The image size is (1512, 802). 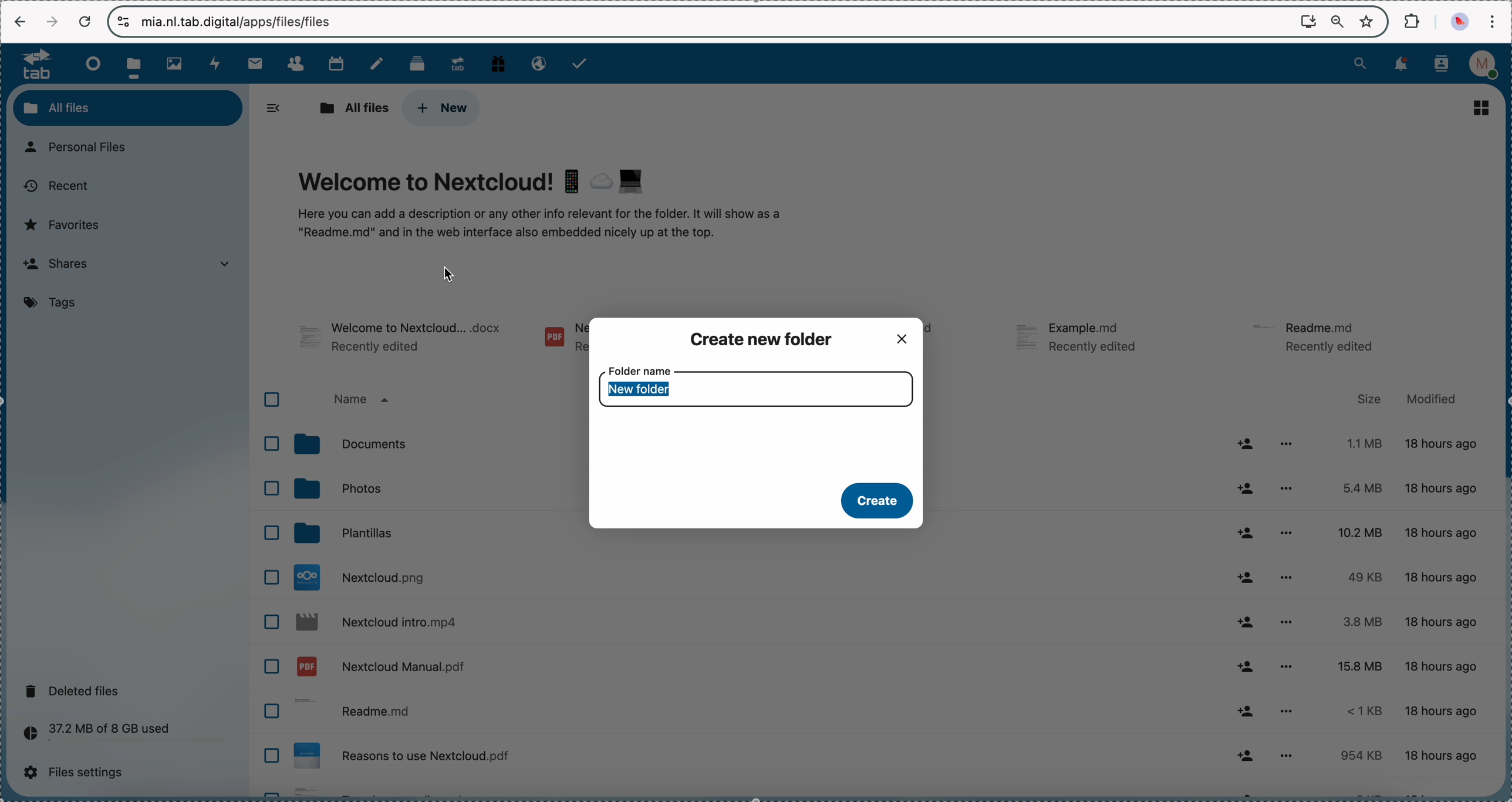 What do you see at coordinates (1399, 65) in the screenshot?
I see `notifications` at bounding box center [1399, 65].